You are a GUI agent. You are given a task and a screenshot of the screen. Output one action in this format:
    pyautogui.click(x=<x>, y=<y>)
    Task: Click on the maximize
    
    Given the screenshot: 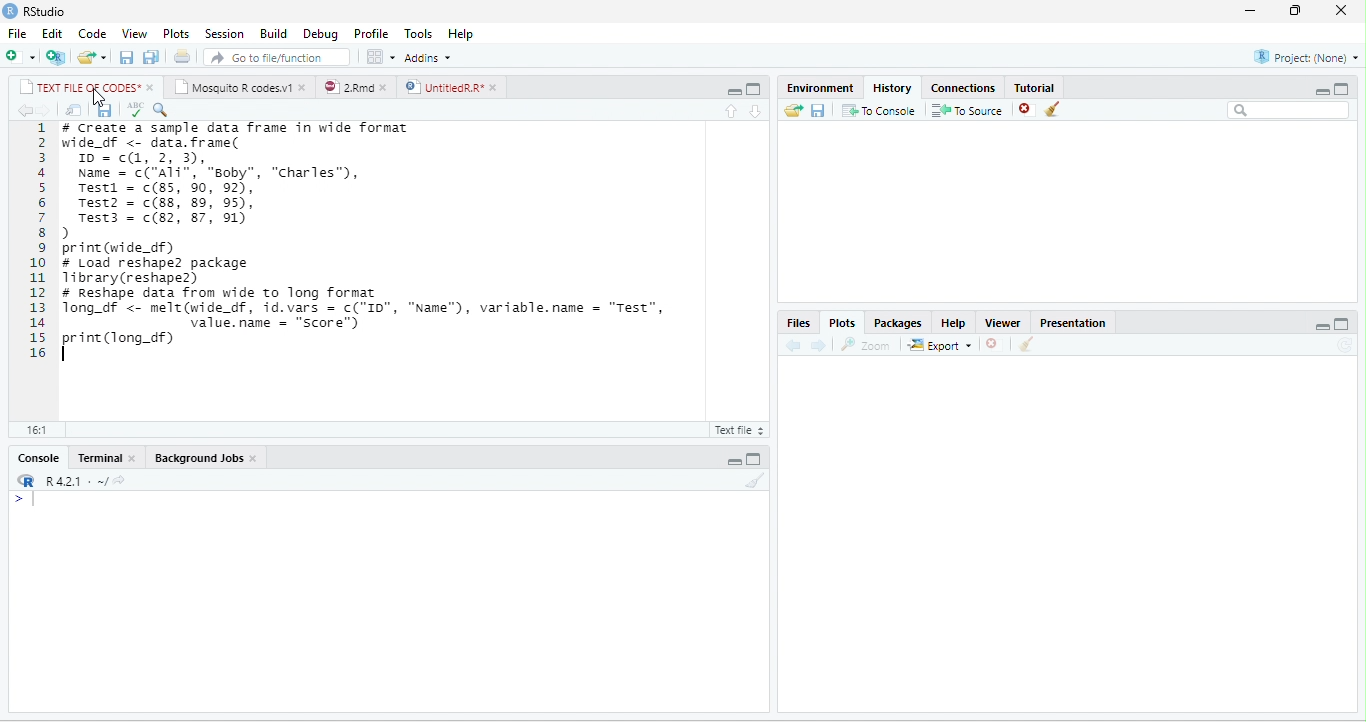 What is the action you would take?
    pyautogui.click(x=1342, y=89)
    